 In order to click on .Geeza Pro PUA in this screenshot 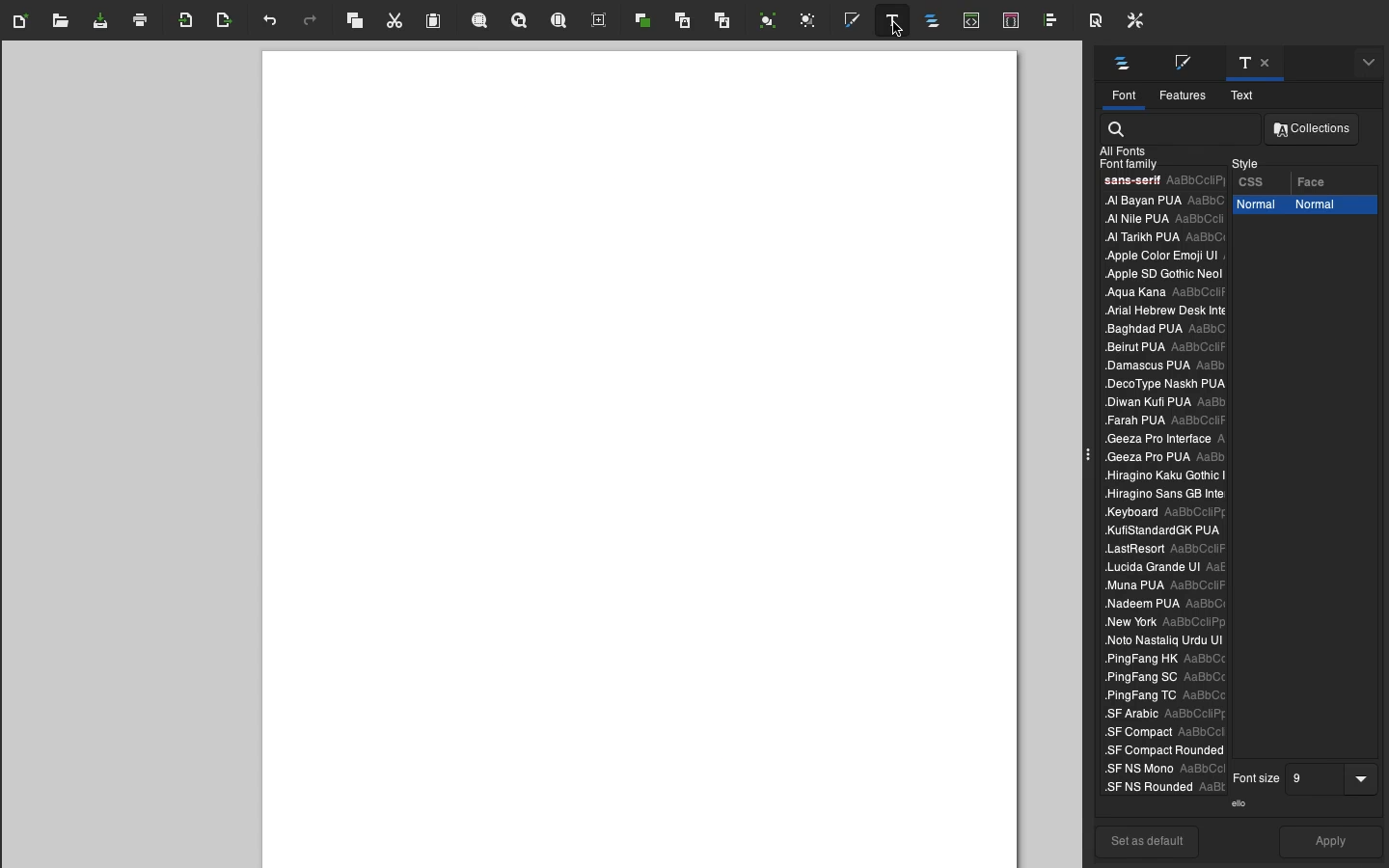, I will do `click(1165, 459)`.